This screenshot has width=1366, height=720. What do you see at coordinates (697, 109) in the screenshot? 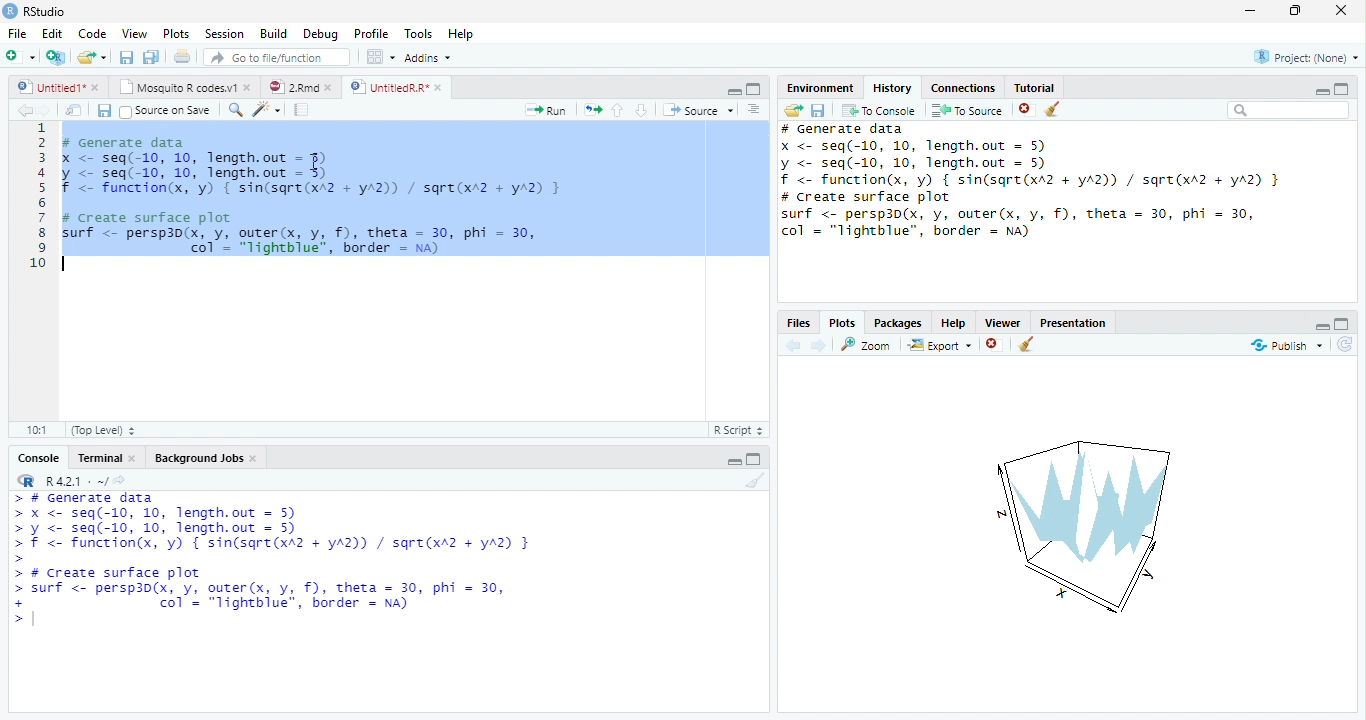
I see `Source` at bounding box center [697, 109].